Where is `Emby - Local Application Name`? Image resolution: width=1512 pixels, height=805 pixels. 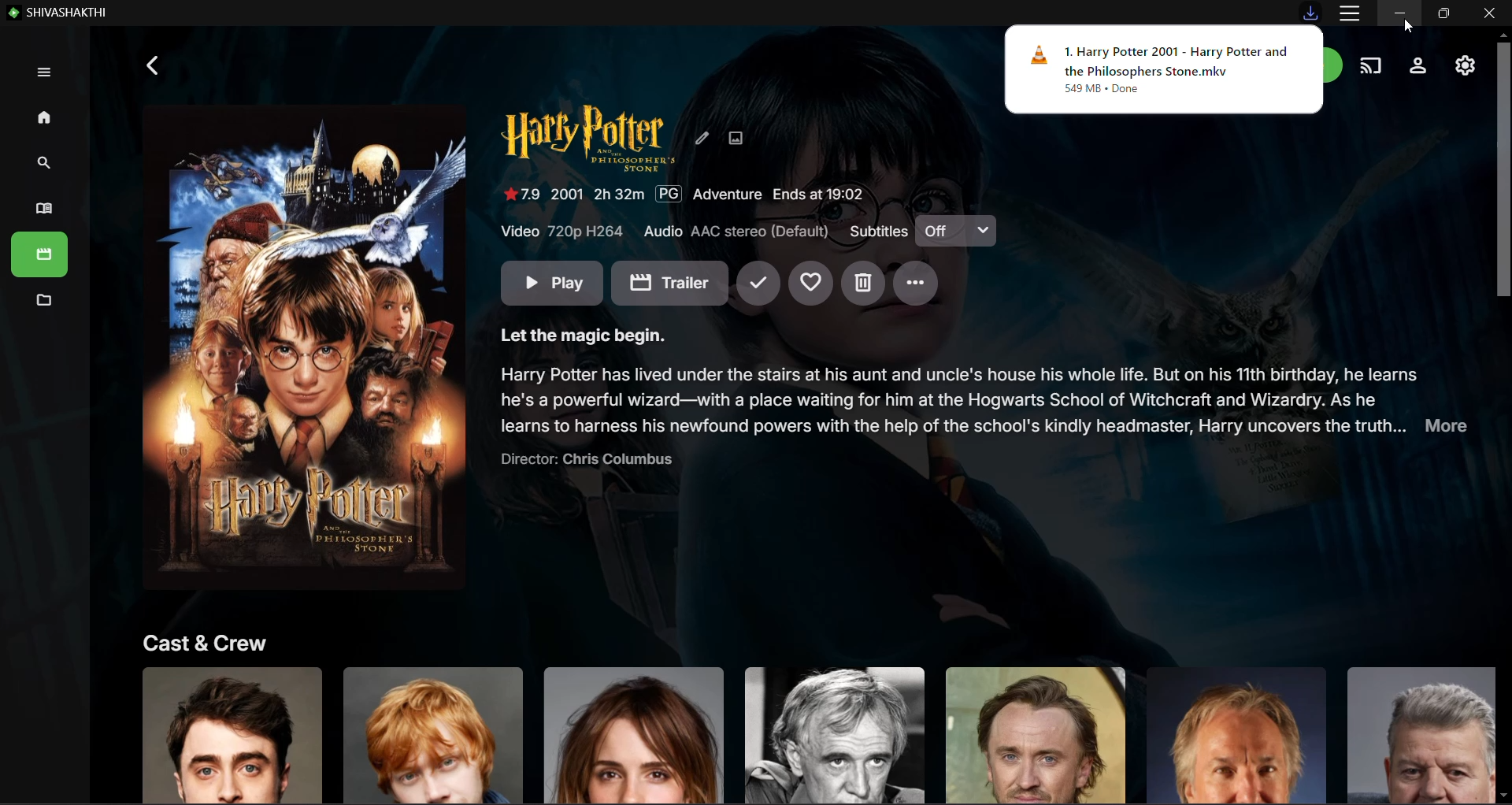 Emby - Local Application Name is located at coordinates (61, 12).